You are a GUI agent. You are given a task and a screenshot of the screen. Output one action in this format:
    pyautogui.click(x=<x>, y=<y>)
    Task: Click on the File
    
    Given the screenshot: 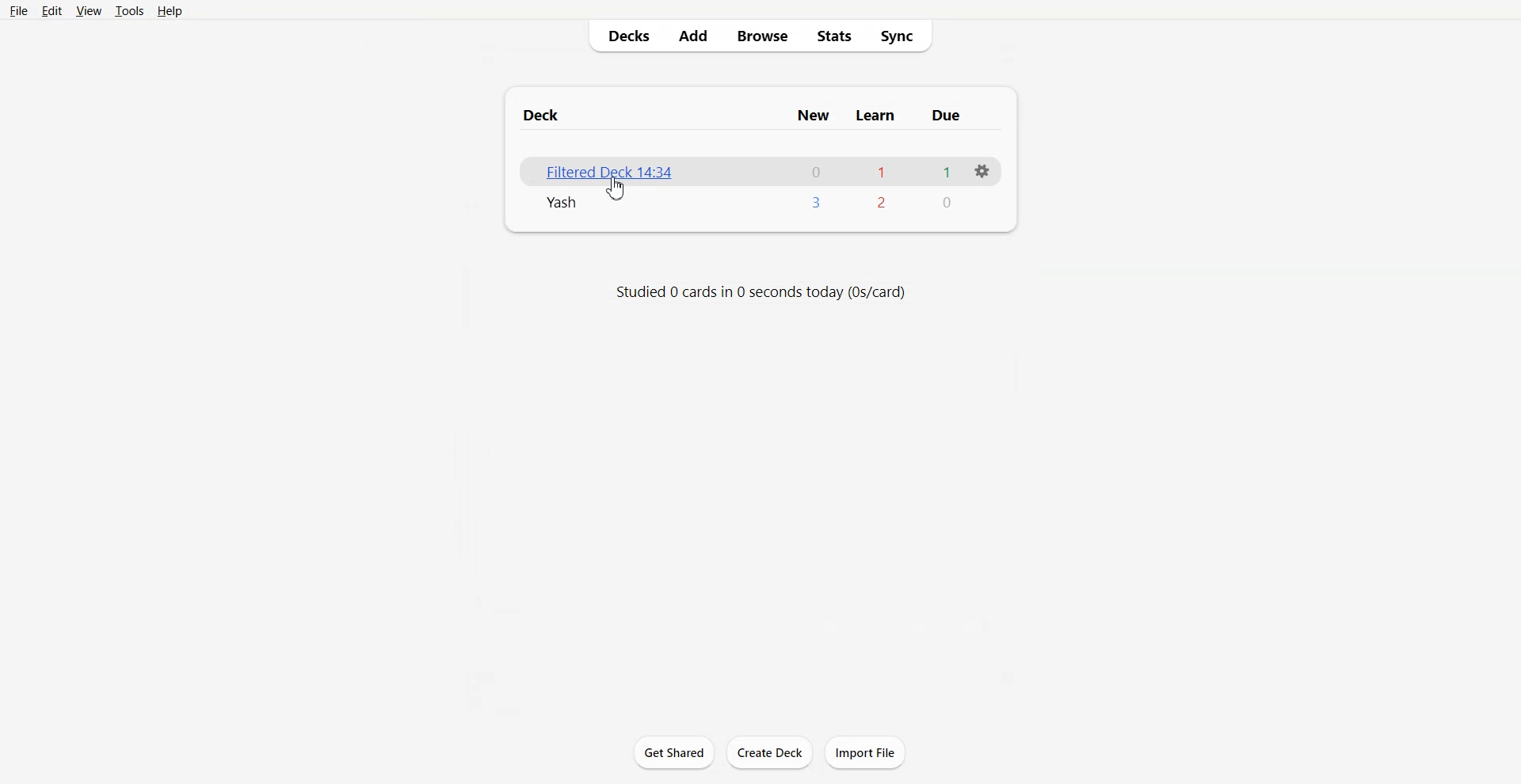 What is the action you would take?
    pyautogui.click(x=19, y=11)
    